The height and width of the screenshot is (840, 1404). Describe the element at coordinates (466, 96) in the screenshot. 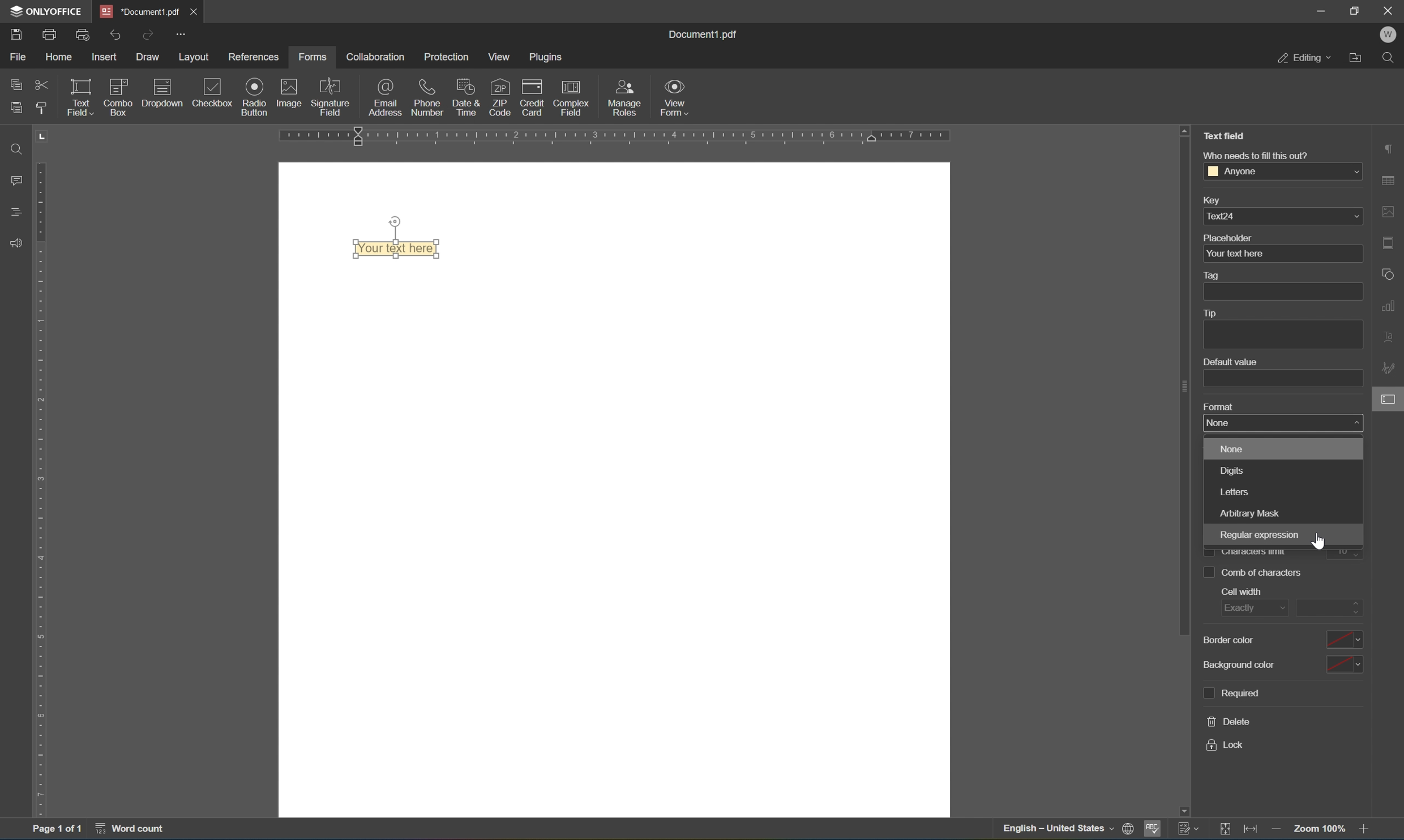

I see `date and time` at that location.